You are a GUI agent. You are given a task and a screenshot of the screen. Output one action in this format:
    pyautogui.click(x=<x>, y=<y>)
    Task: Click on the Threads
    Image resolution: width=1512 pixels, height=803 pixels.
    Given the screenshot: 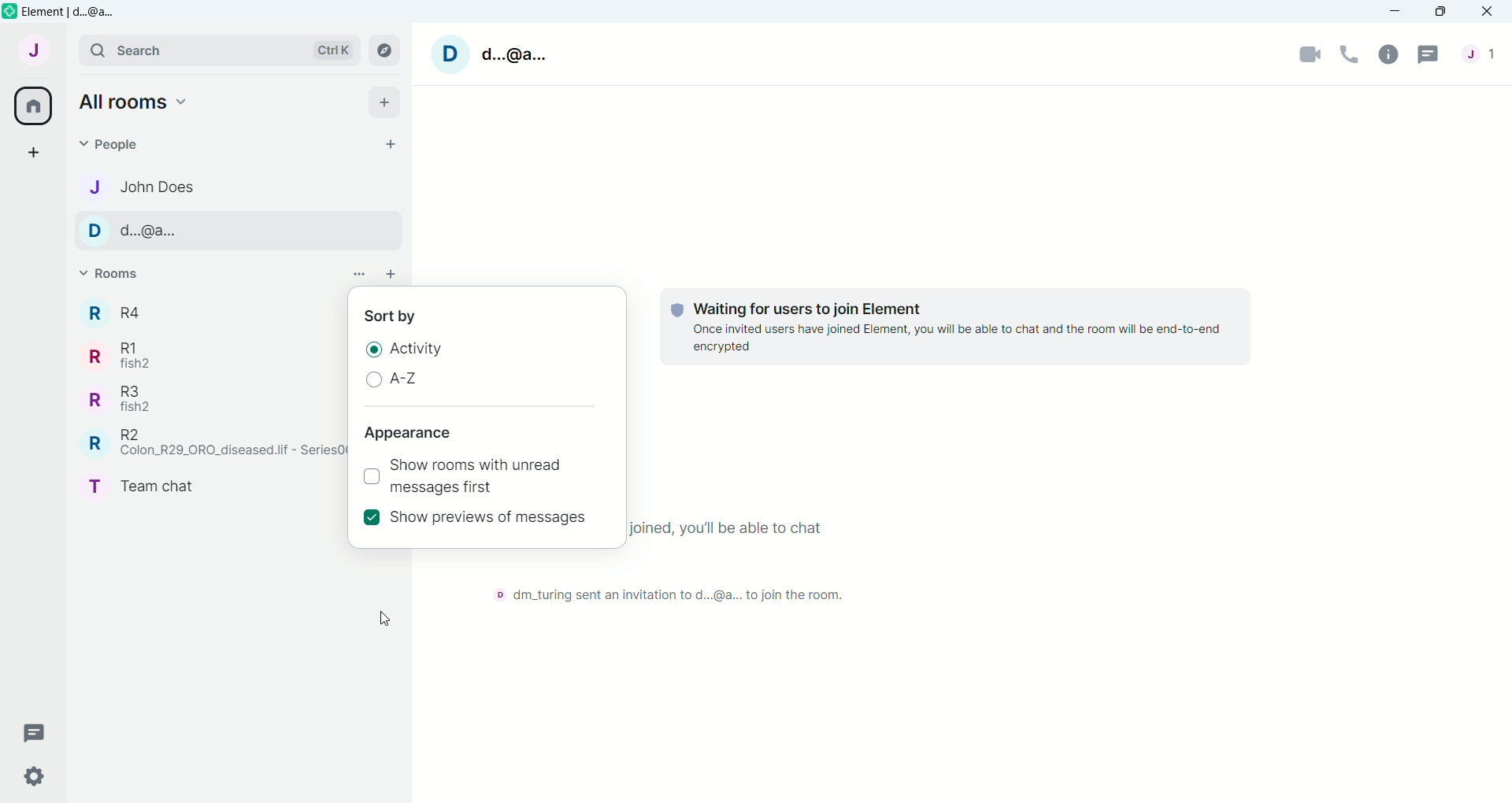 What is the action you would take?
    pyautogui.click(x=1429, y=54)
    